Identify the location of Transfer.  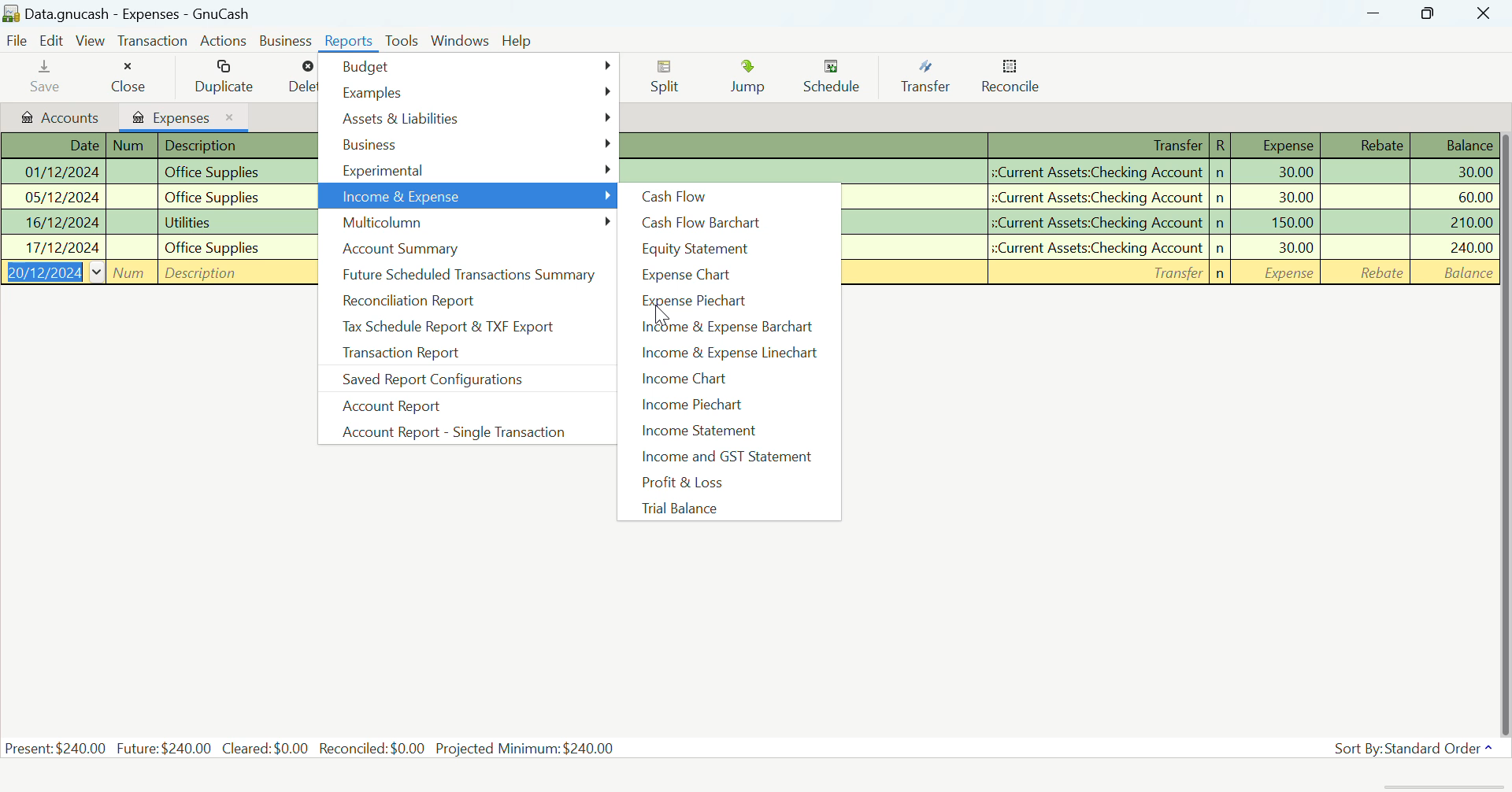
(925, 77).